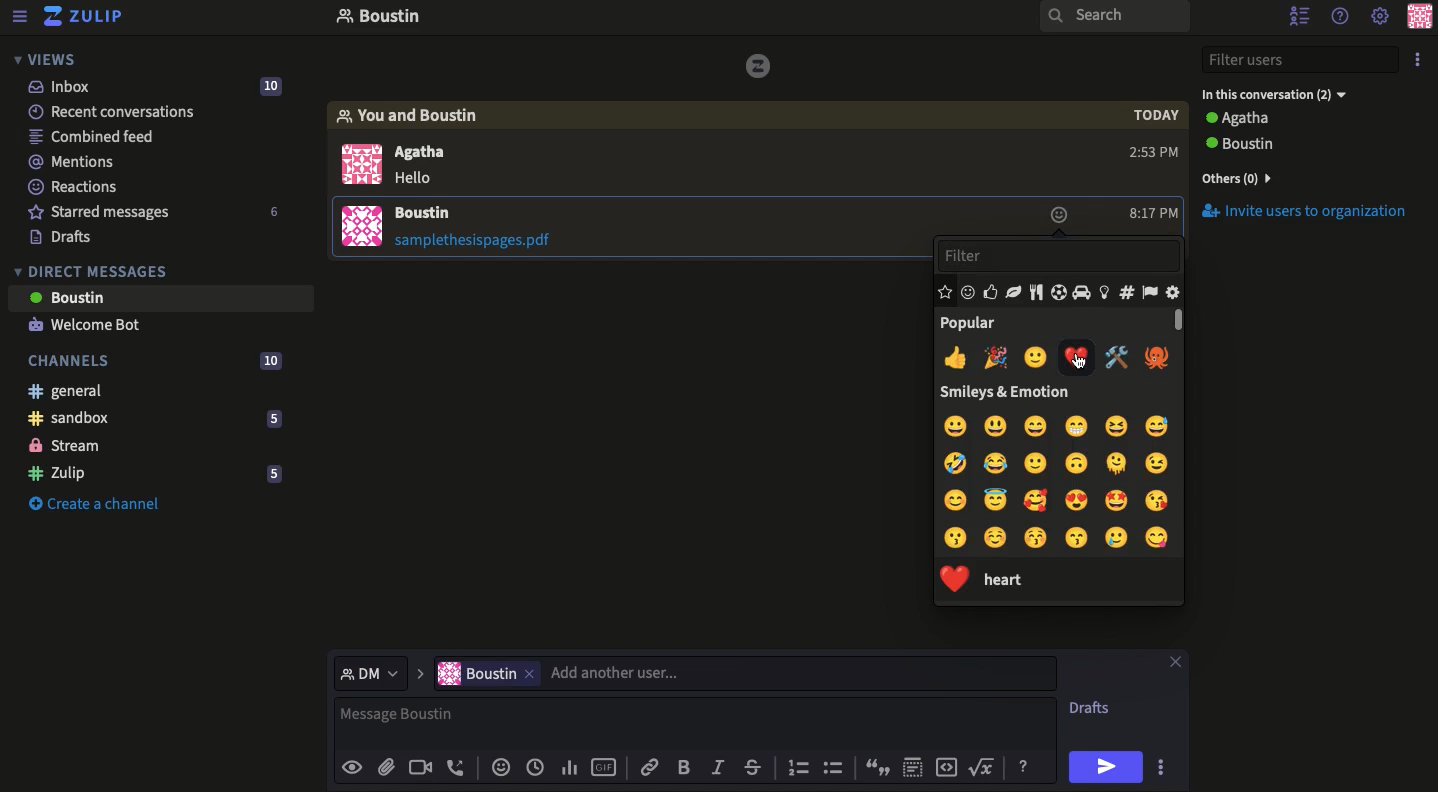  What do you see at coordinates (420, 150) in the screenshot?
I see `Agatha` at bounding box center [420, 150].